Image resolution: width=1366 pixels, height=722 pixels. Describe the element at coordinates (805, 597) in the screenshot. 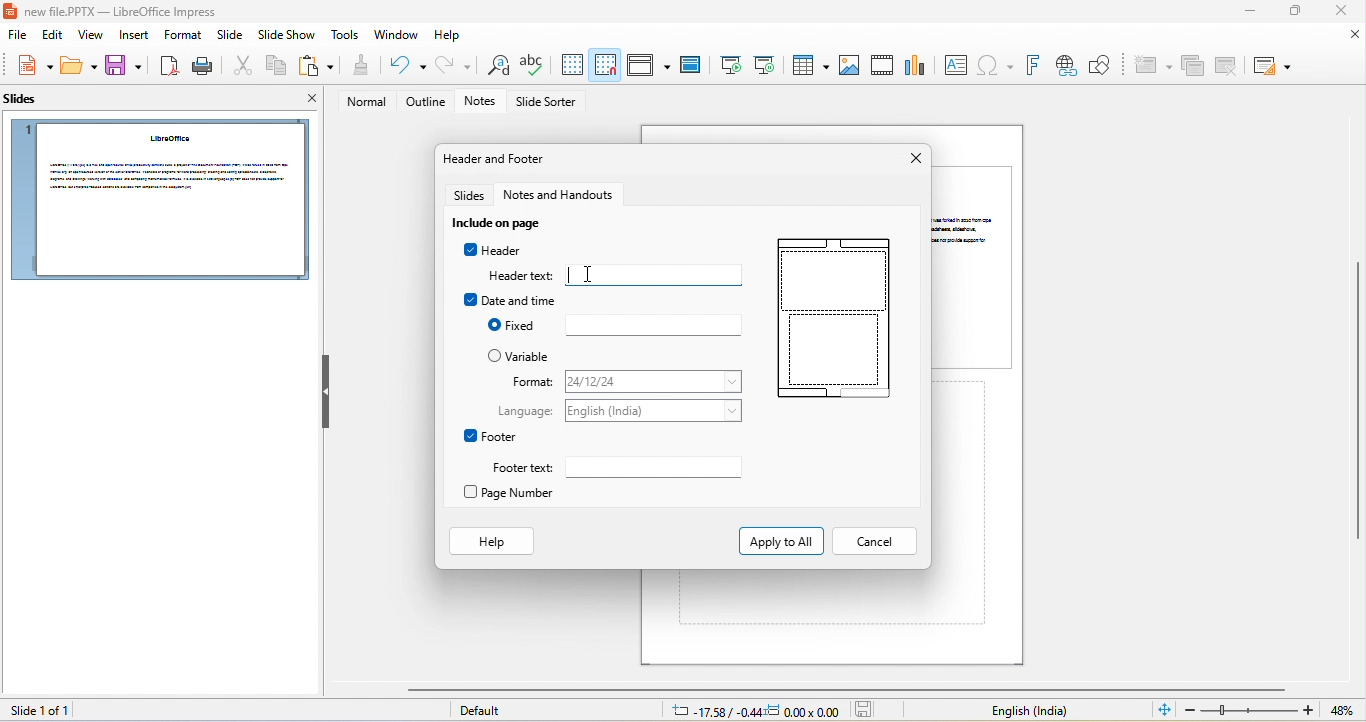

I see `click here to add notes` at that location.